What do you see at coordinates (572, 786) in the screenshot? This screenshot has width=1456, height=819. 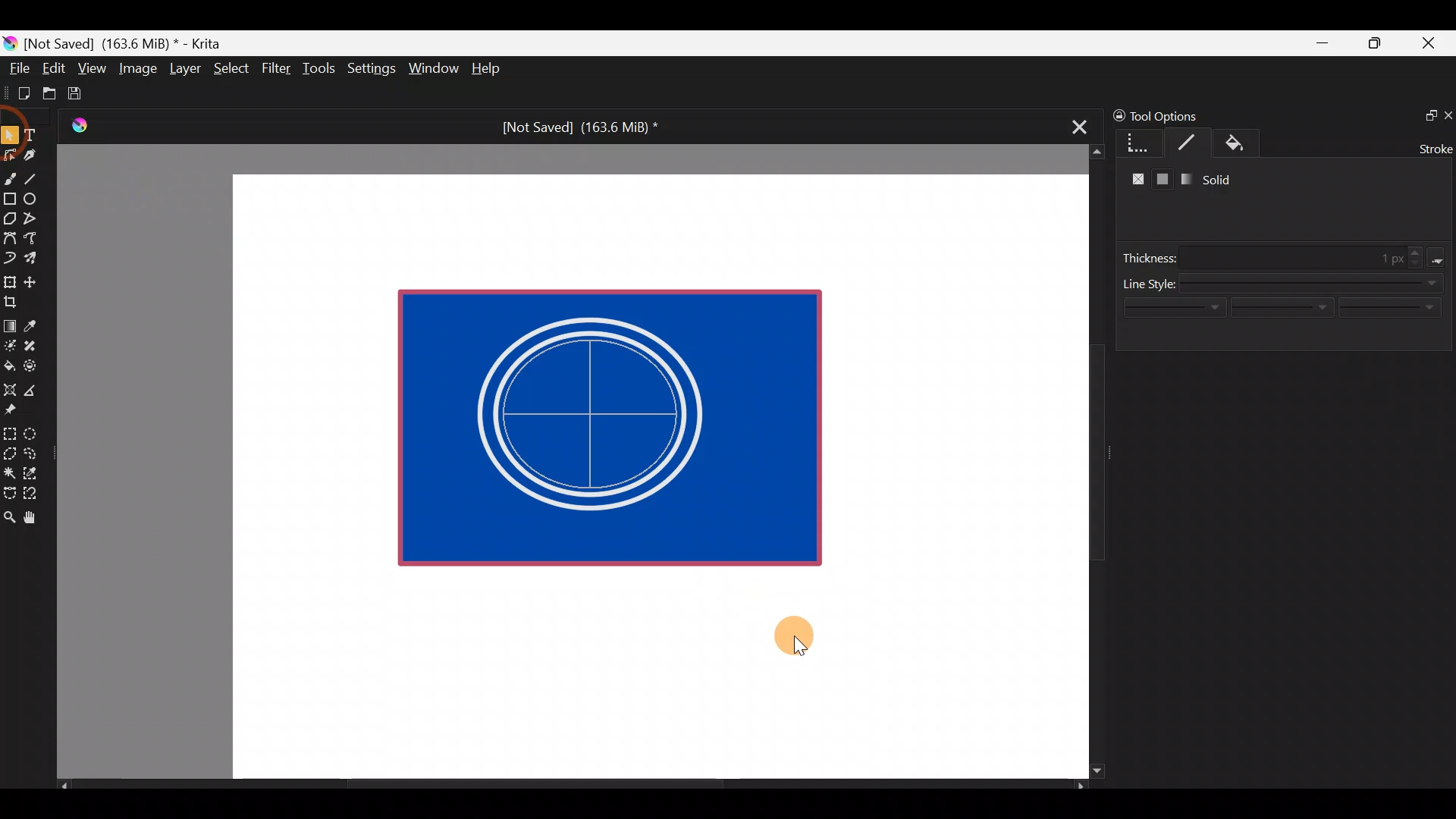 I see `Scroll bar` at bounding box center [572, 786].